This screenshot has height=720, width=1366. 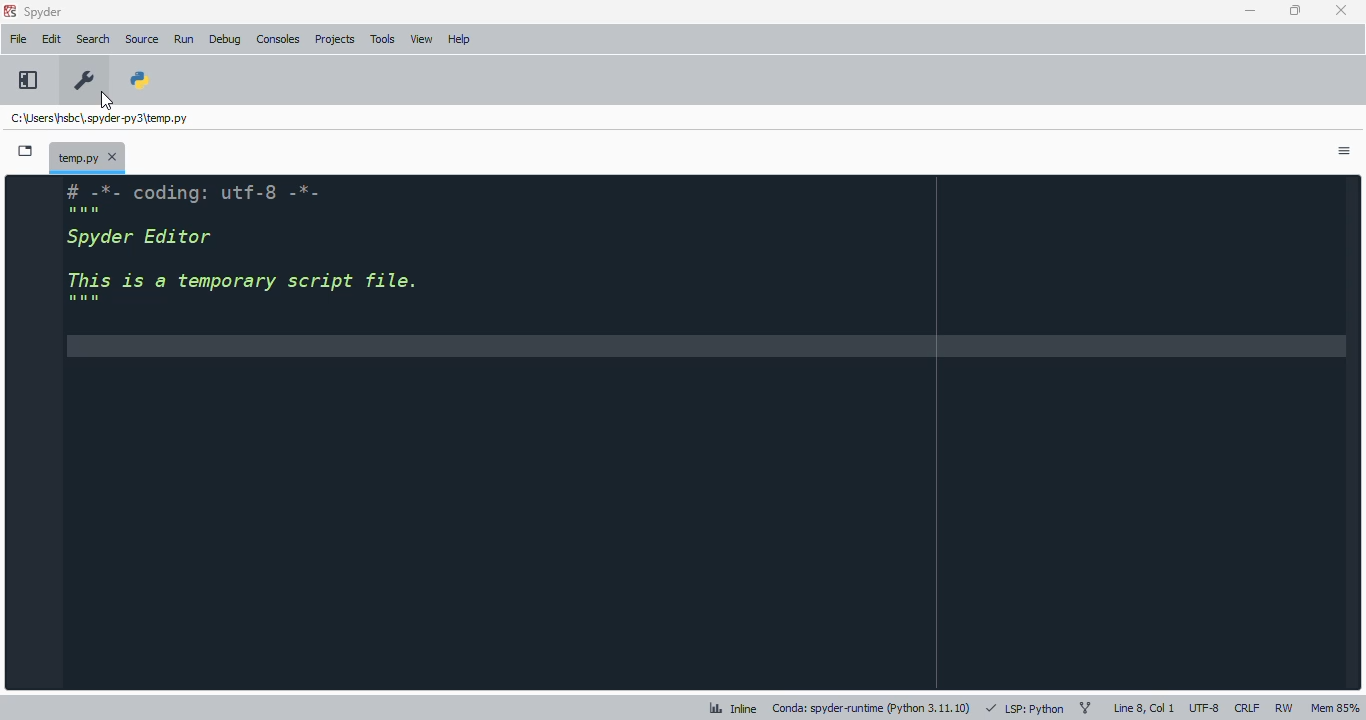 I want to click on maximize current pane, so click(x=27, y=79).